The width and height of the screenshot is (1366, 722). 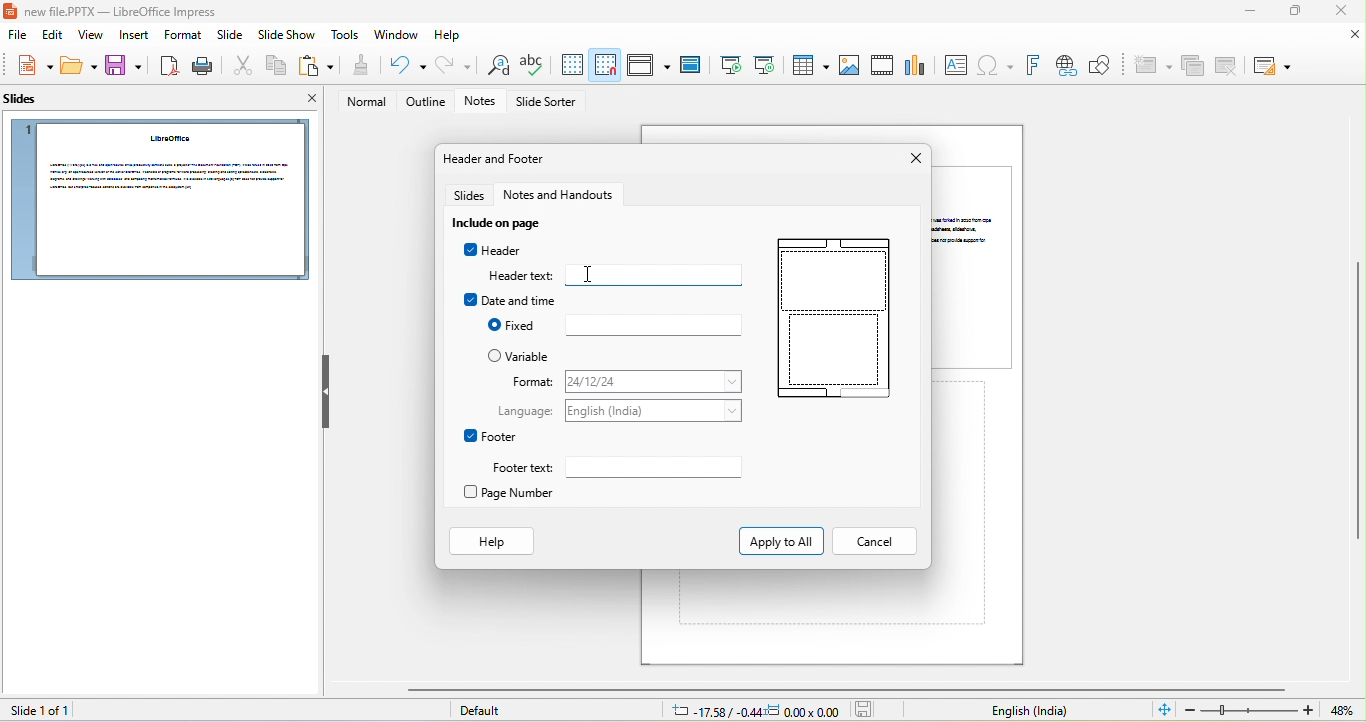 I want to click on header and footer, so click(x=497, y=159).